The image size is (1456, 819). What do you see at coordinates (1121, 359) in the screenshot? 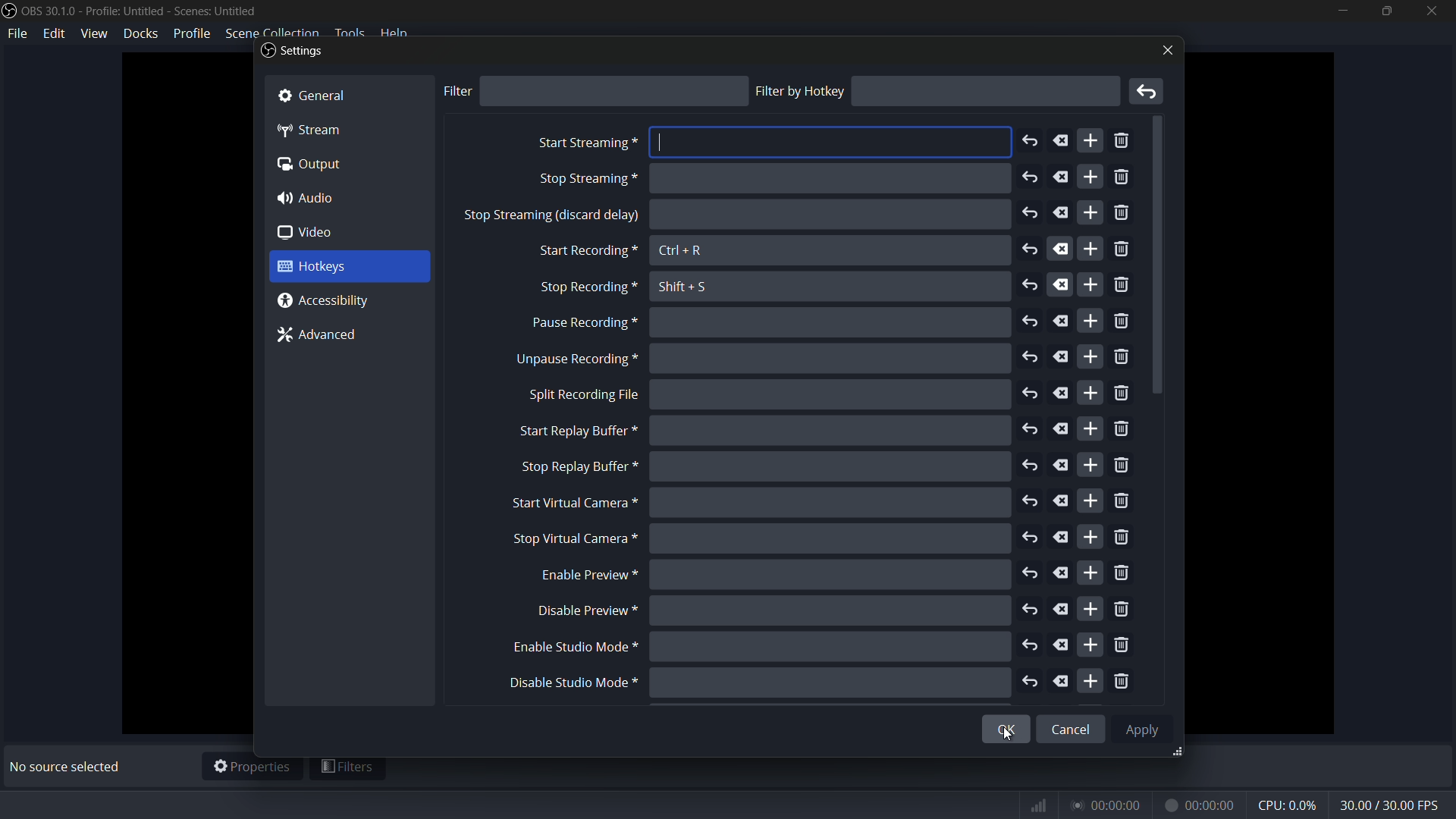
I see `remove` at bounding box center [1121, 359].